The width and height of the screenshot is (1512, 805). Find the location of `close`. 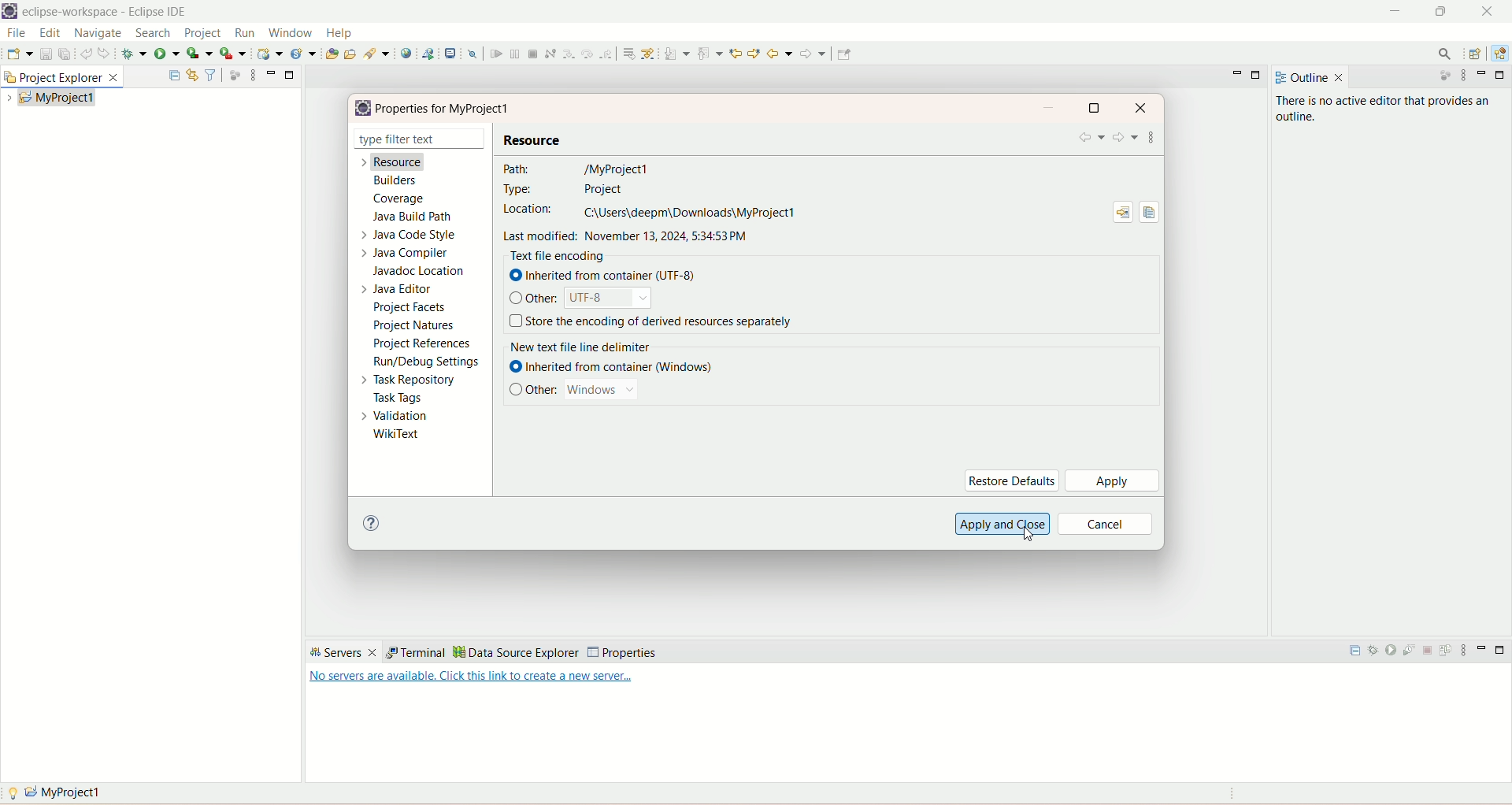

close is located at coordinates (1488, 12).